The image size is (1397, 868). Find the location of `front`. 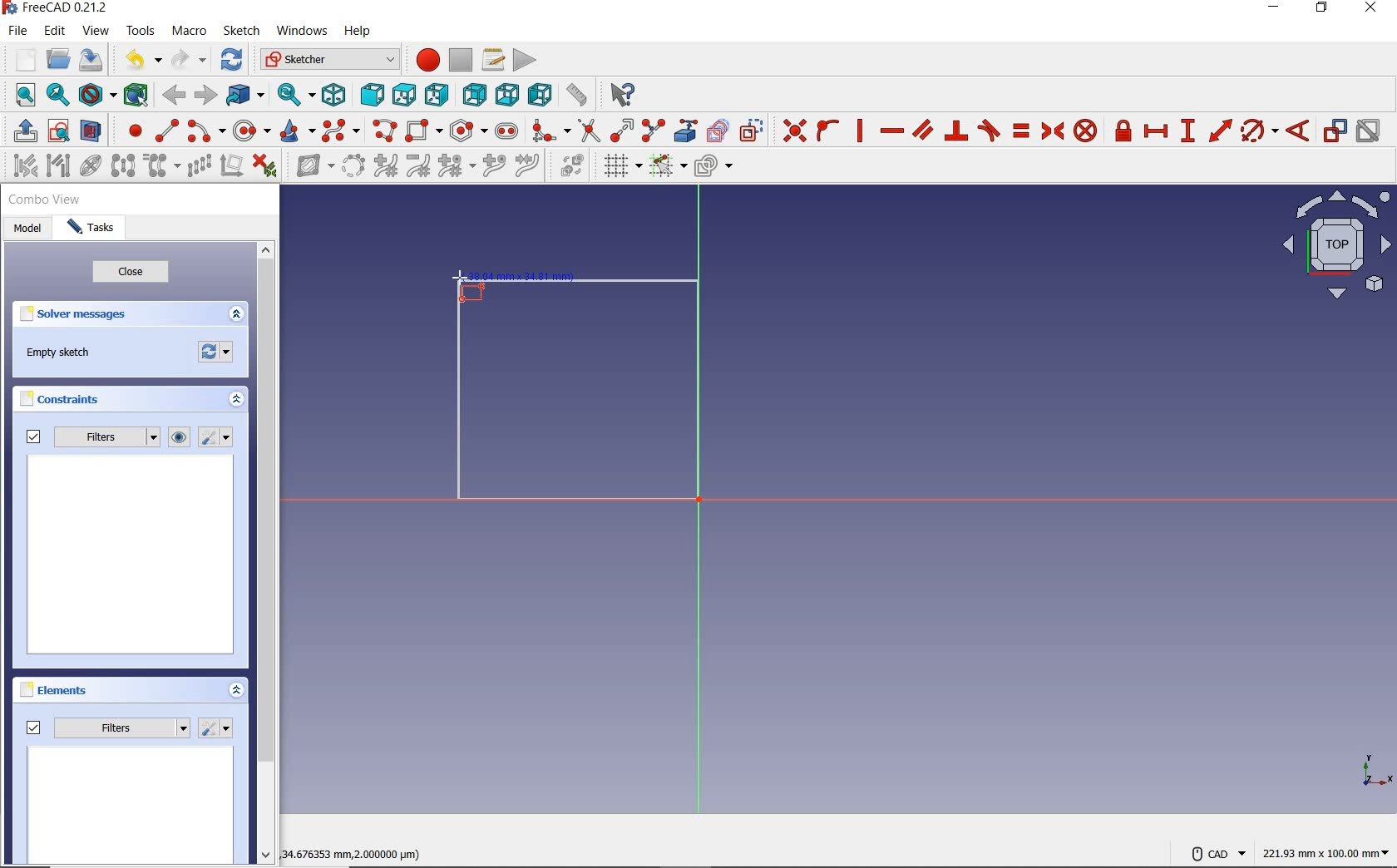

front is located at coordinates (370, 96).